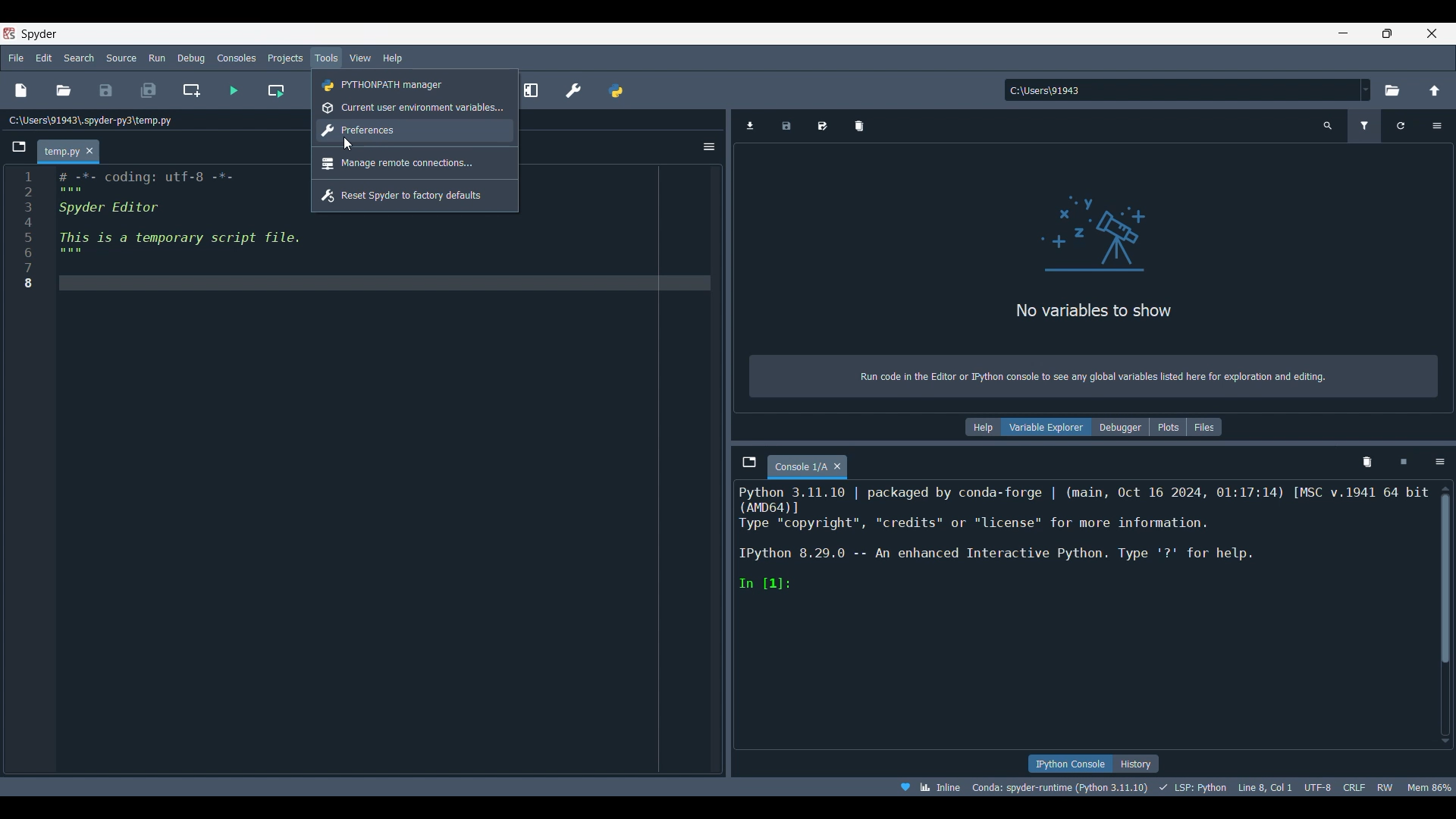  What do you see at coordinates (416, 163) in the screenshot?
I see `Manage remote connections` at bounding box center [416, 163].